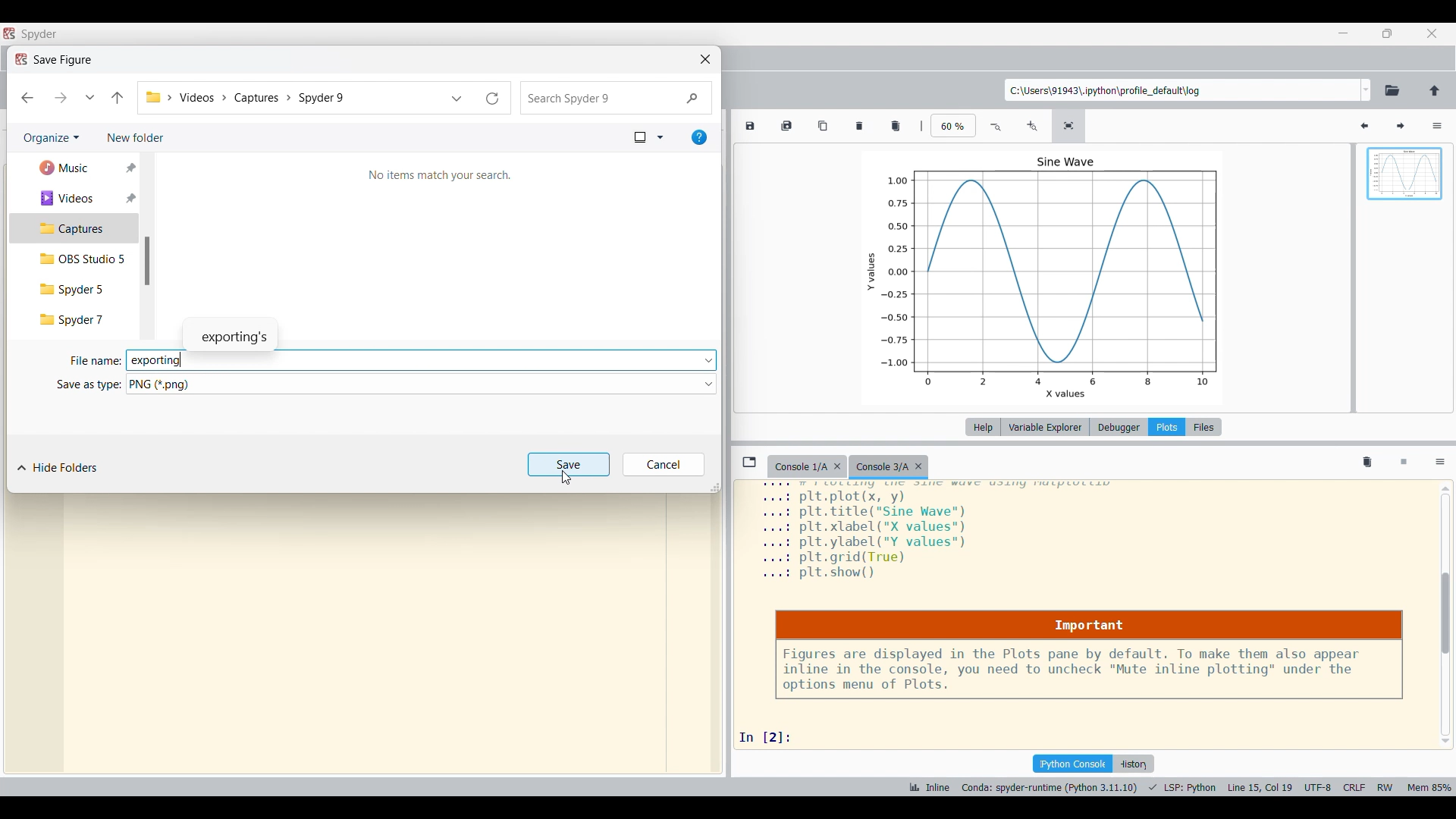  I want to click on plot details, so click(944, 534).